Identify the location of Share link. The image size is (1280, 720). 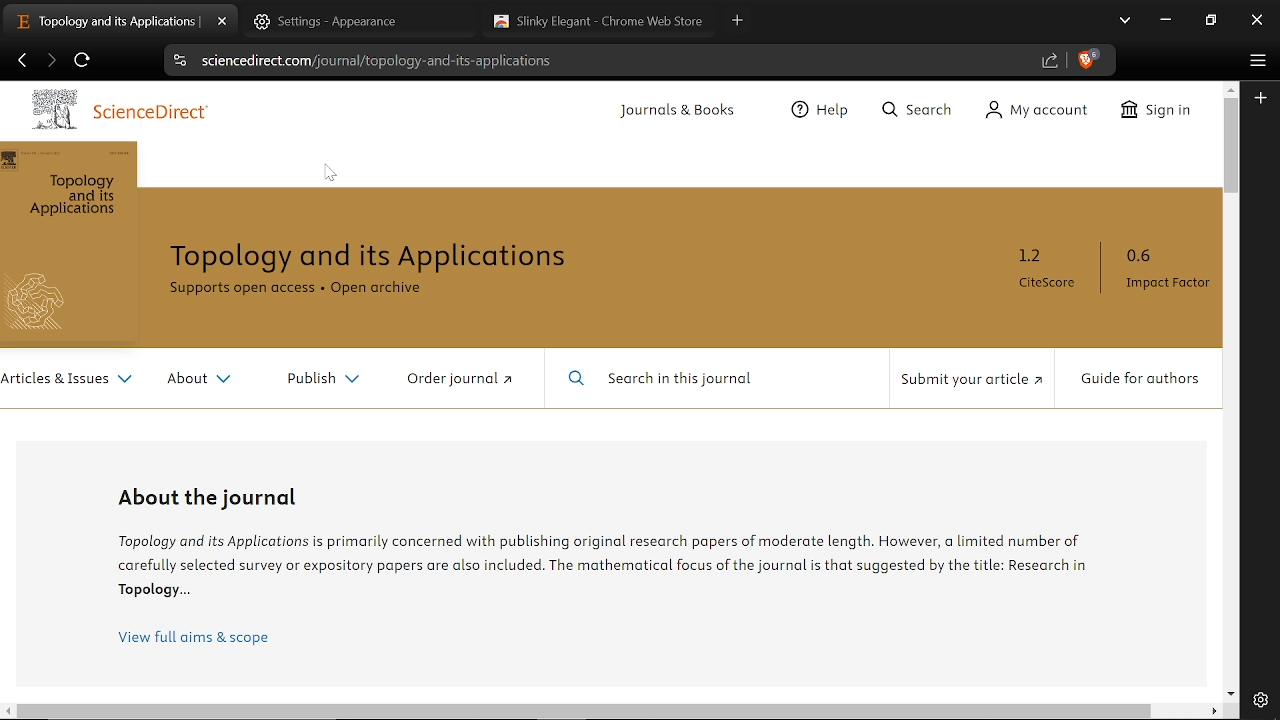
(1050, 62).